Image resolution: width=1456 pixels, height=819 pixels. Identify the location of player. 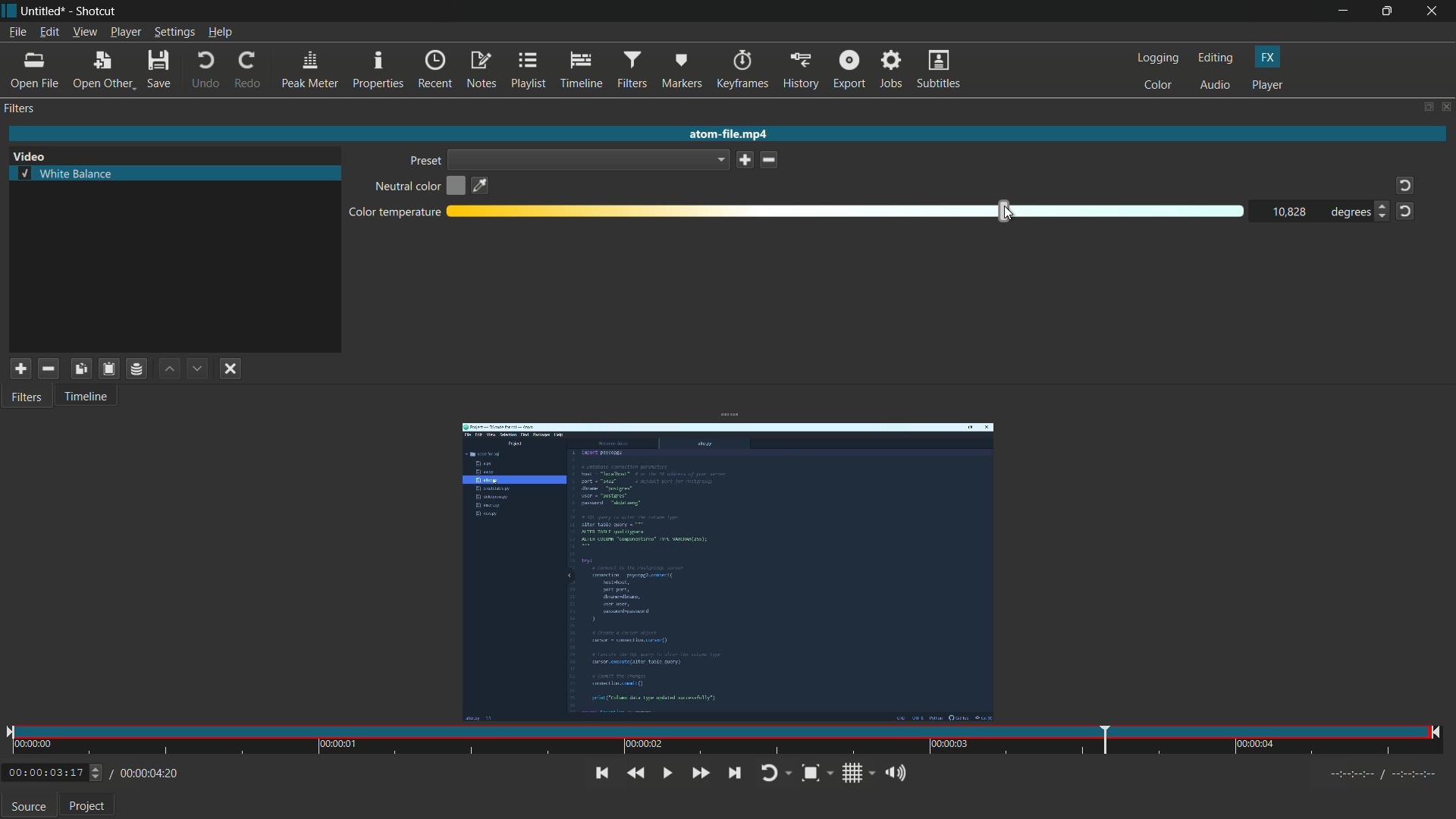
(1268, 86).